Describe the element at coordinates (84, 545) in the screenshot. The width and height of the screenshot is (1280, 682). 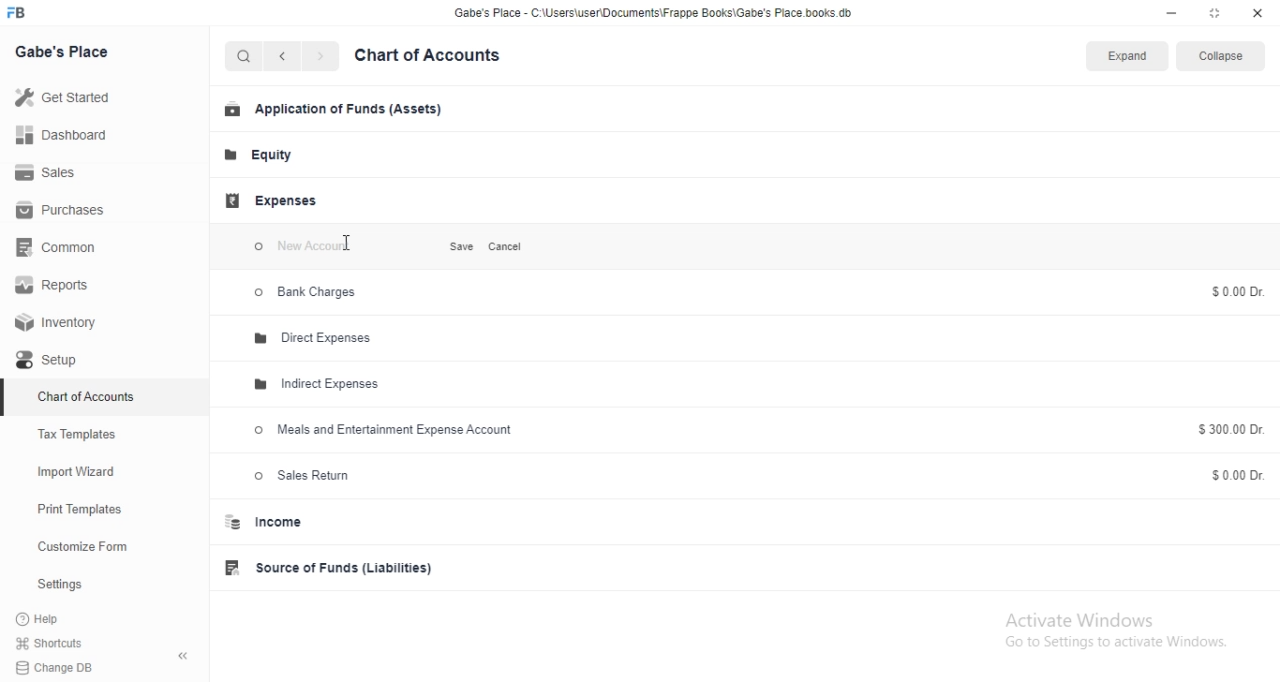
I see `Customize Form` at that location.